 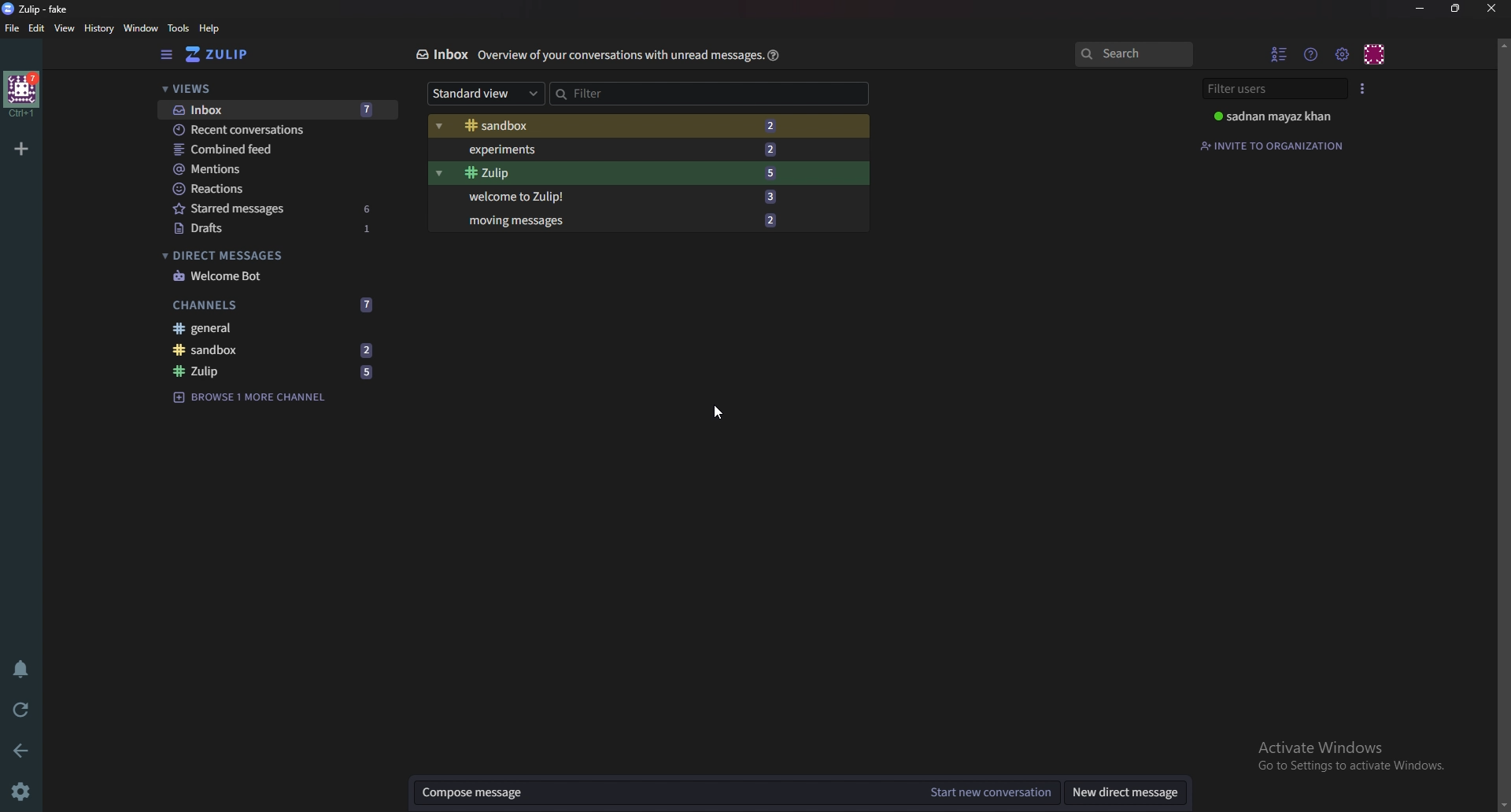 I want to click on View, so click(x=65, y=29).